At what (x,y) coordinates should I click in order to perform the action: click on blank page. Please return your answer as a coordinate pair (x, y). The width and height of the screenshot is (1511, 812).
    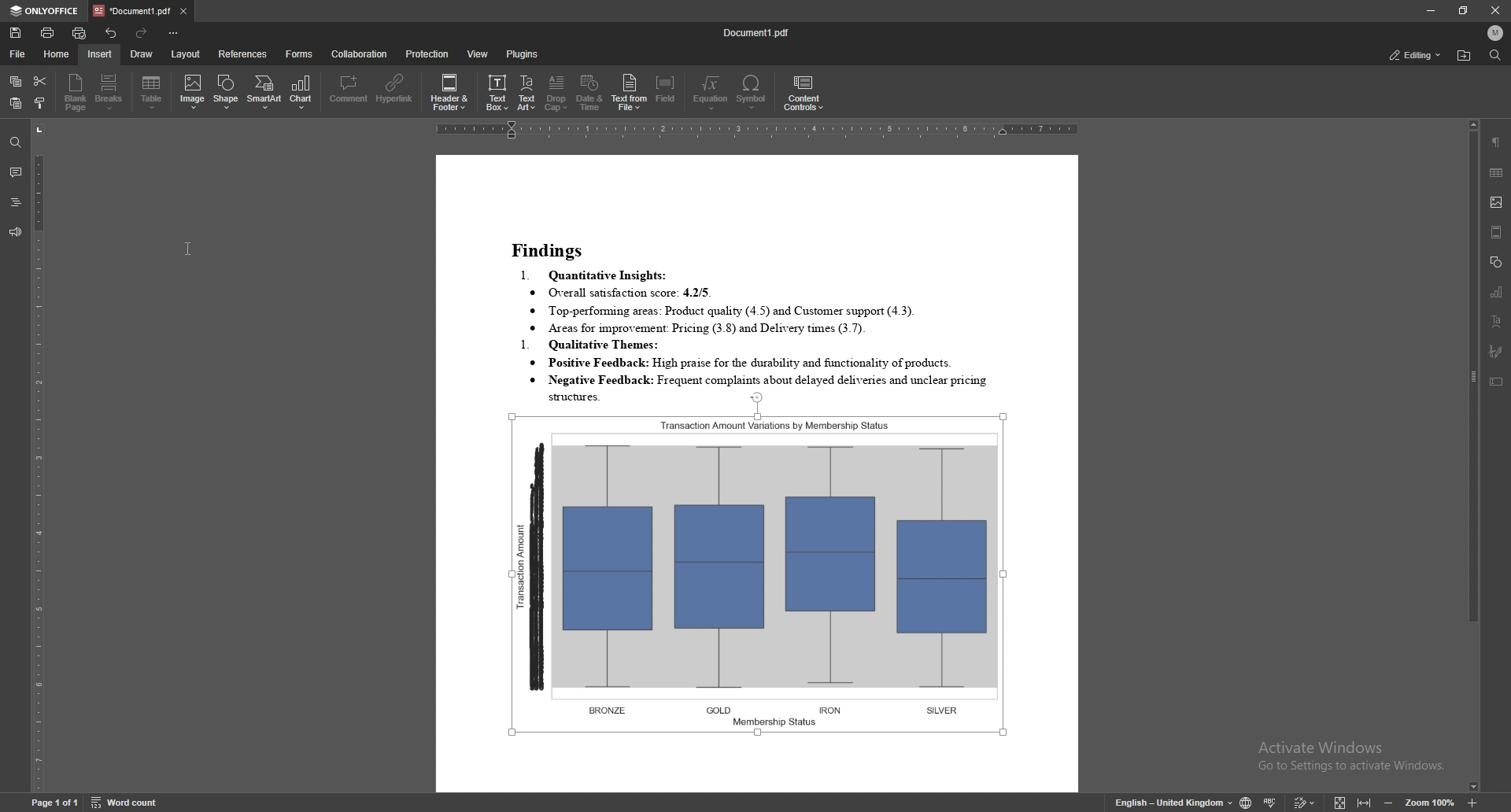
    Looking at the image, I should click on (74, 91).